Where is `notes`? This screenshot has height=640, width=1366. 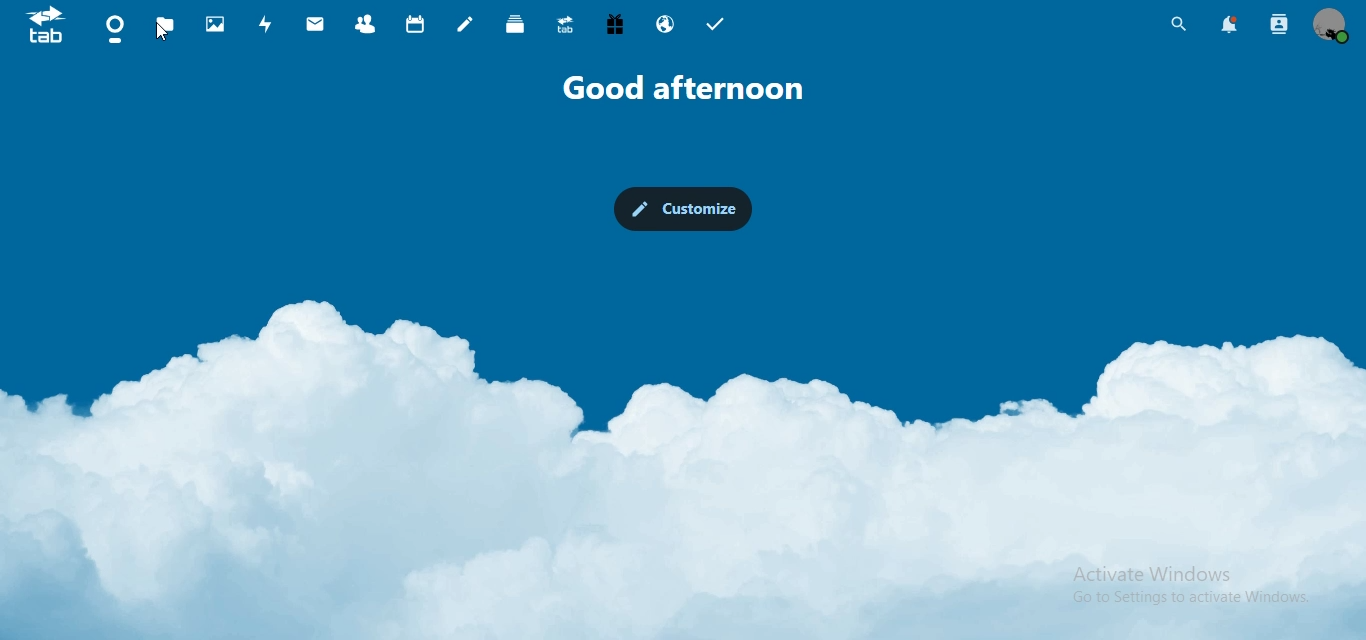
notes is located at coordinates (467, 23).